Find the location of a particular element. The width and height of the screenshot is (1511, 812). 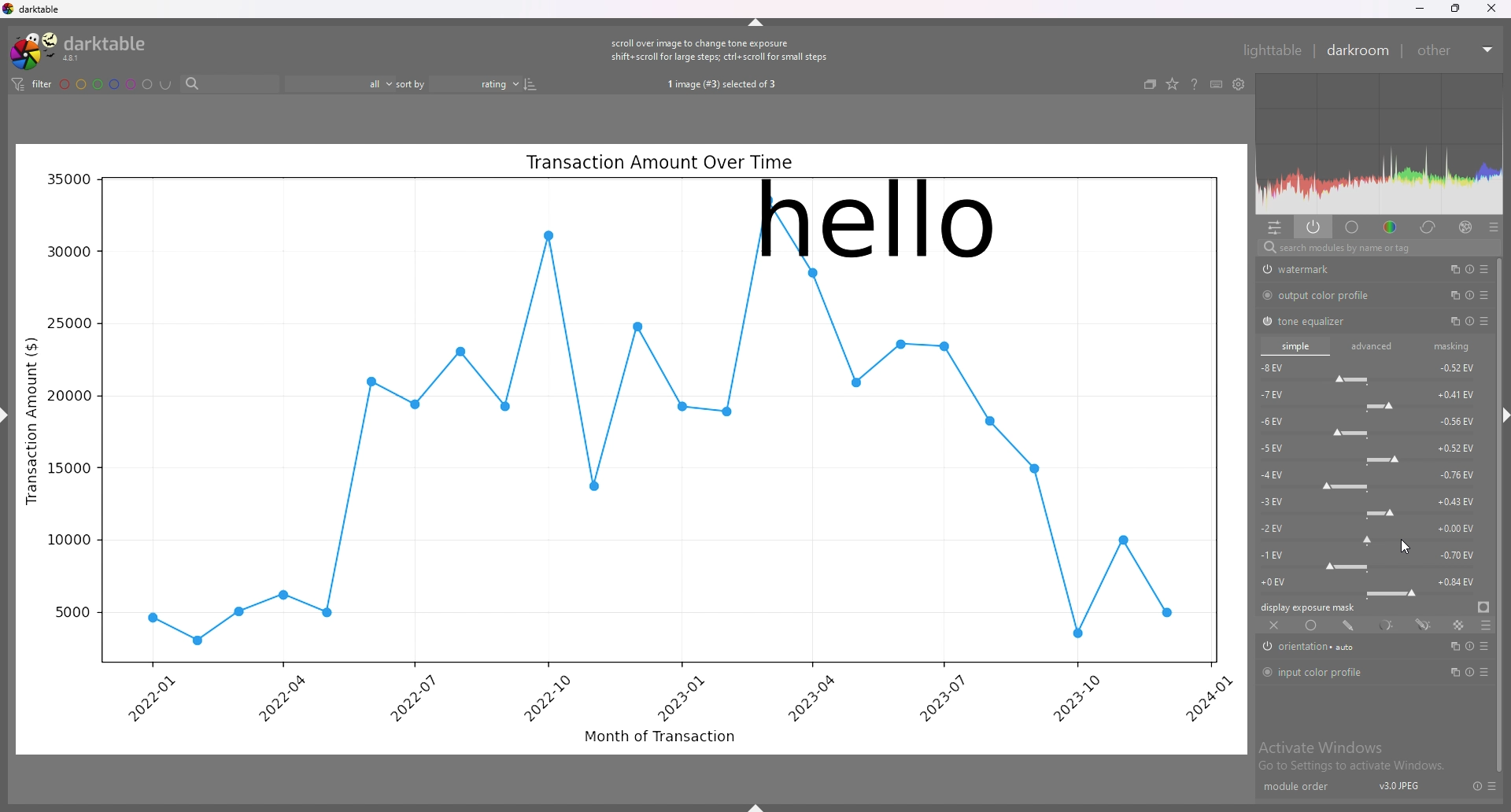

2023-07 is located at coordinates (940, 697).